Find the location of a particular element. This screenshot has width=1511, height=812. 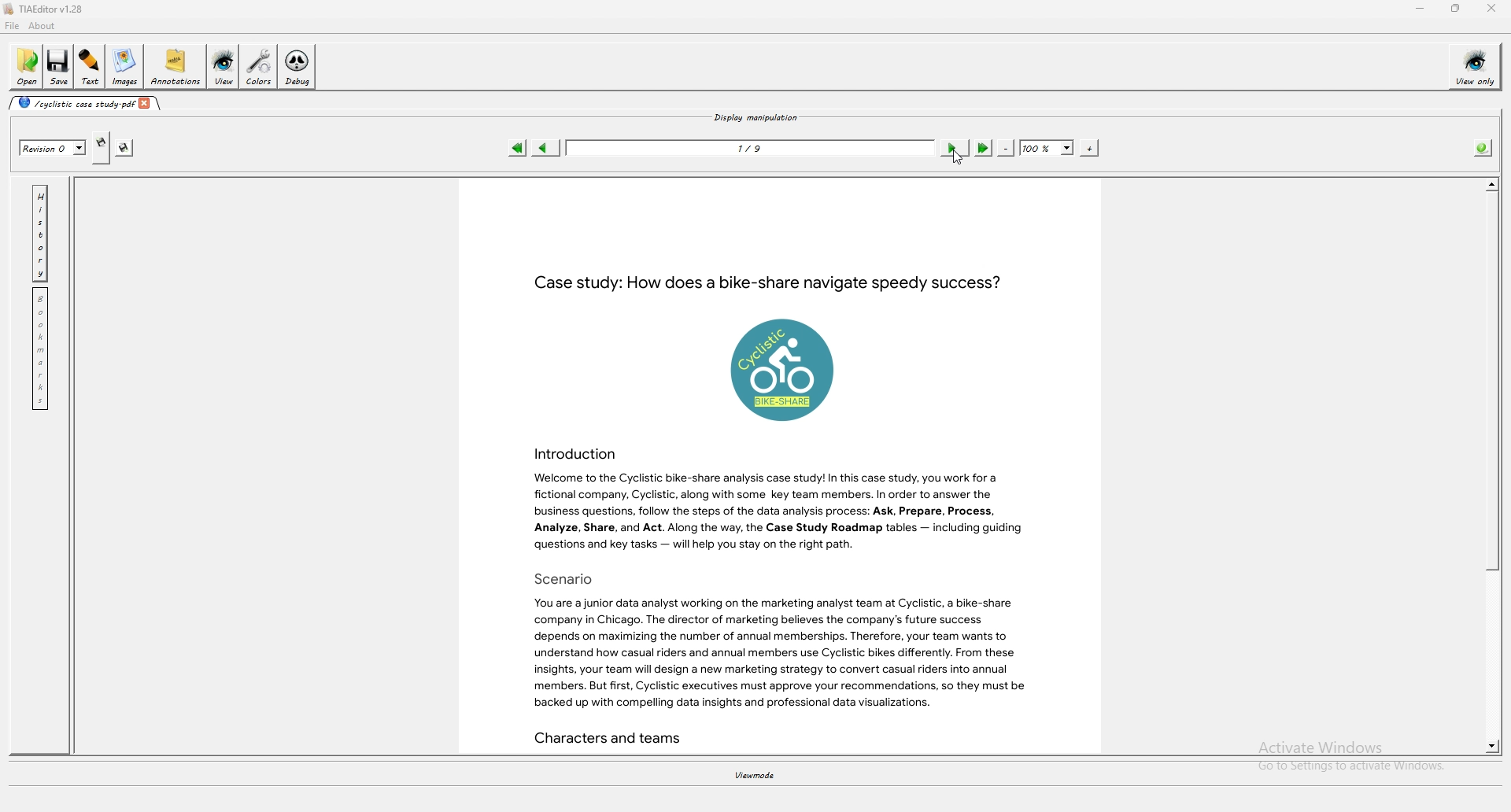

1/9 is located at coordinates (751, 147).